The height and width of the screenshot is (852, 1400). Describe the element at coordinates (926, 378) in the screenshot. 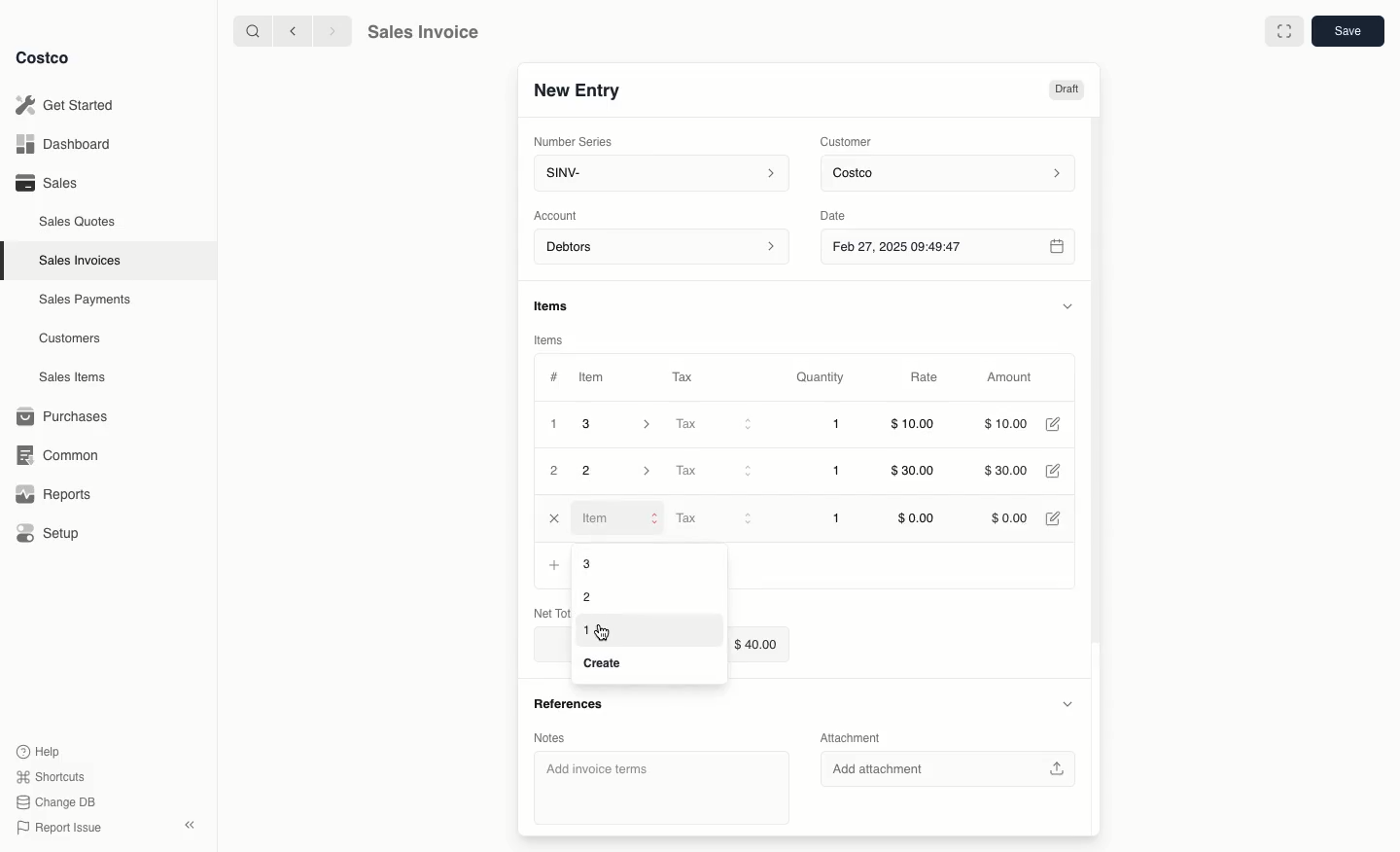

I see `Rate` at that location.